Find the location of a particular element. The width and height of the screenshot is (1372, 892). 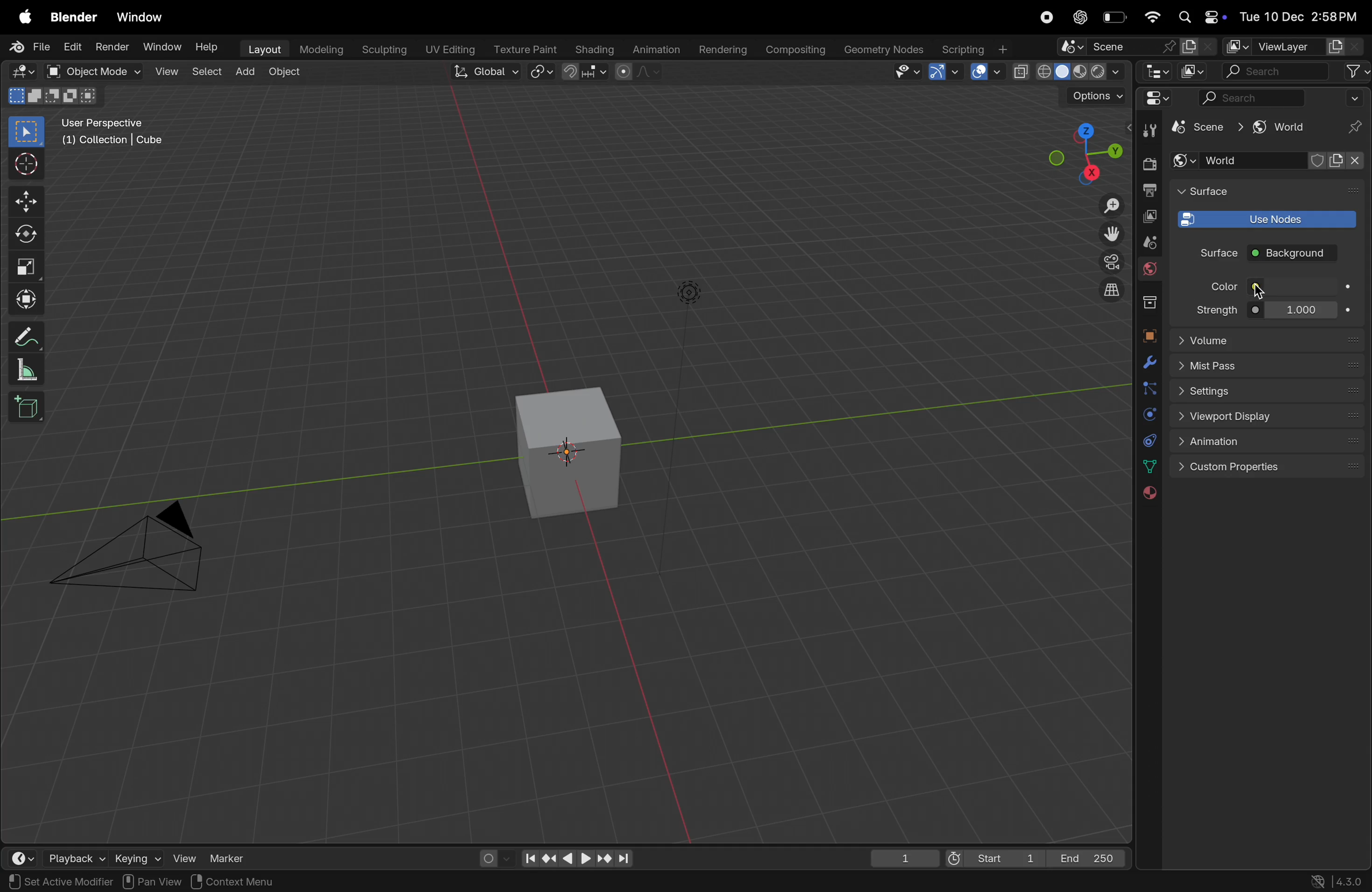

view is located at coordinates (171, 880).